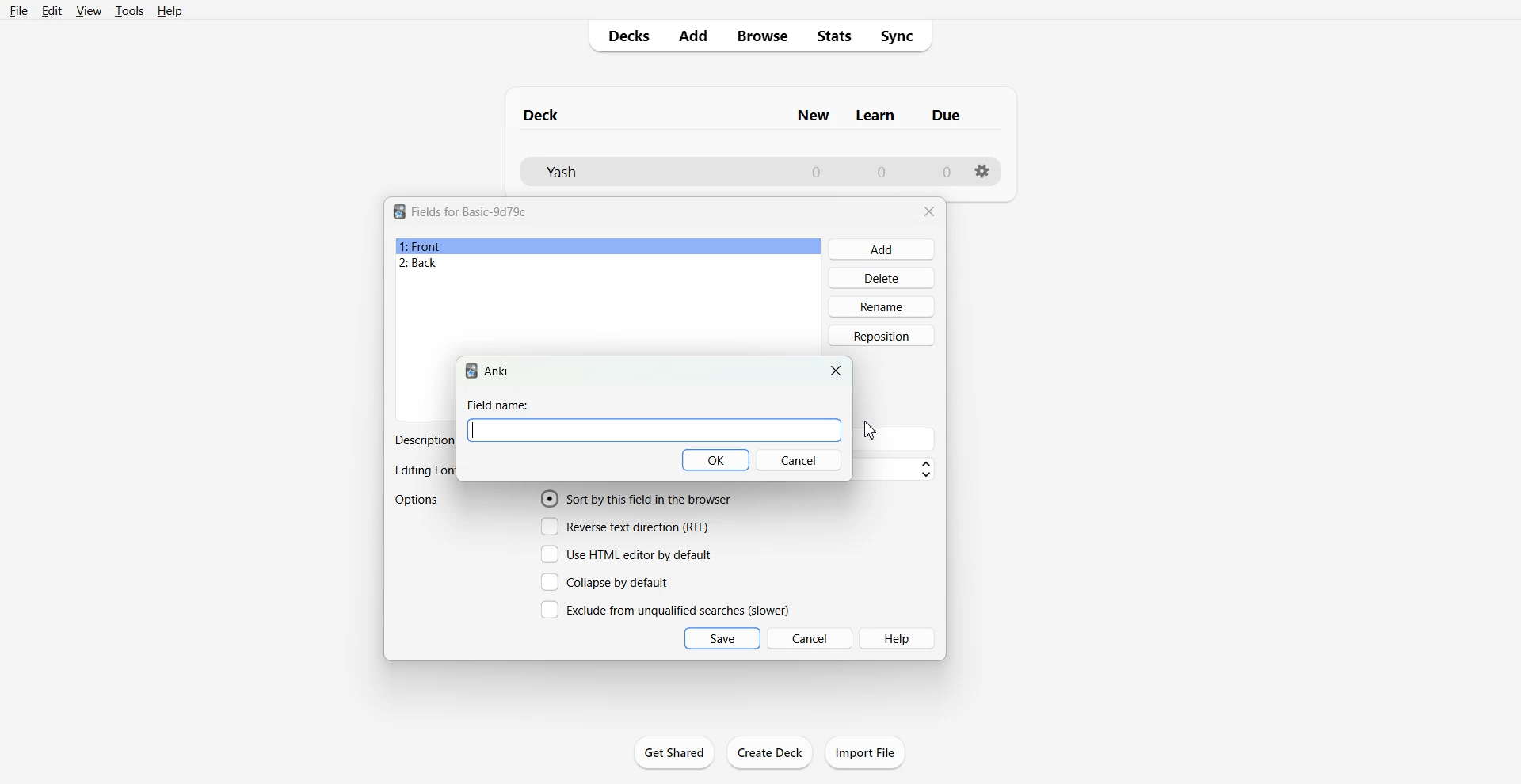 The image size is (1521, 784). Describe the element at coordinates (898, 638) in the screenshot. I see `Help` at that location.